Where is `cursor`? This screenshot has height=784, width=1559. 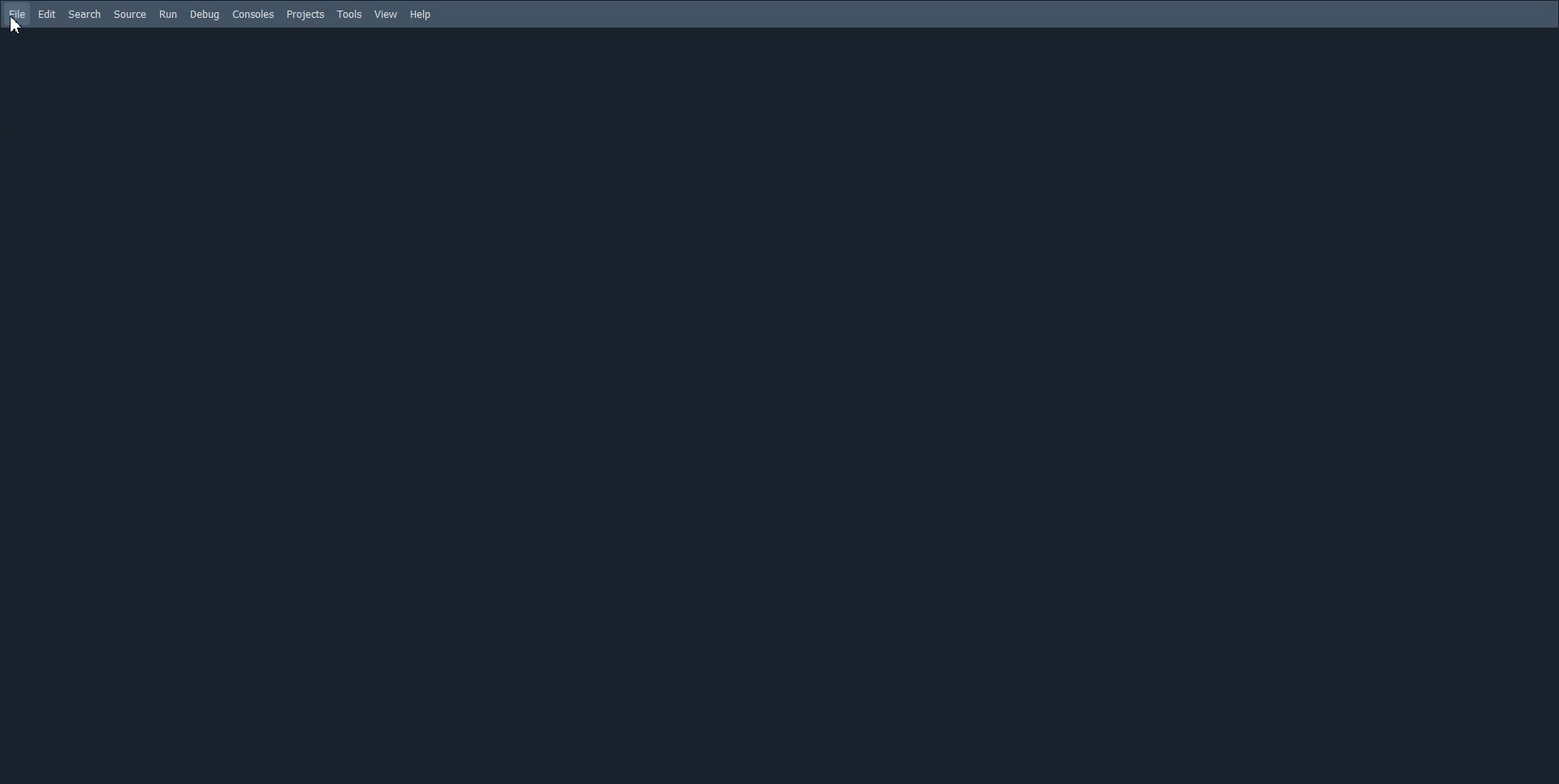 cursor is located at coordinates (14, 24).